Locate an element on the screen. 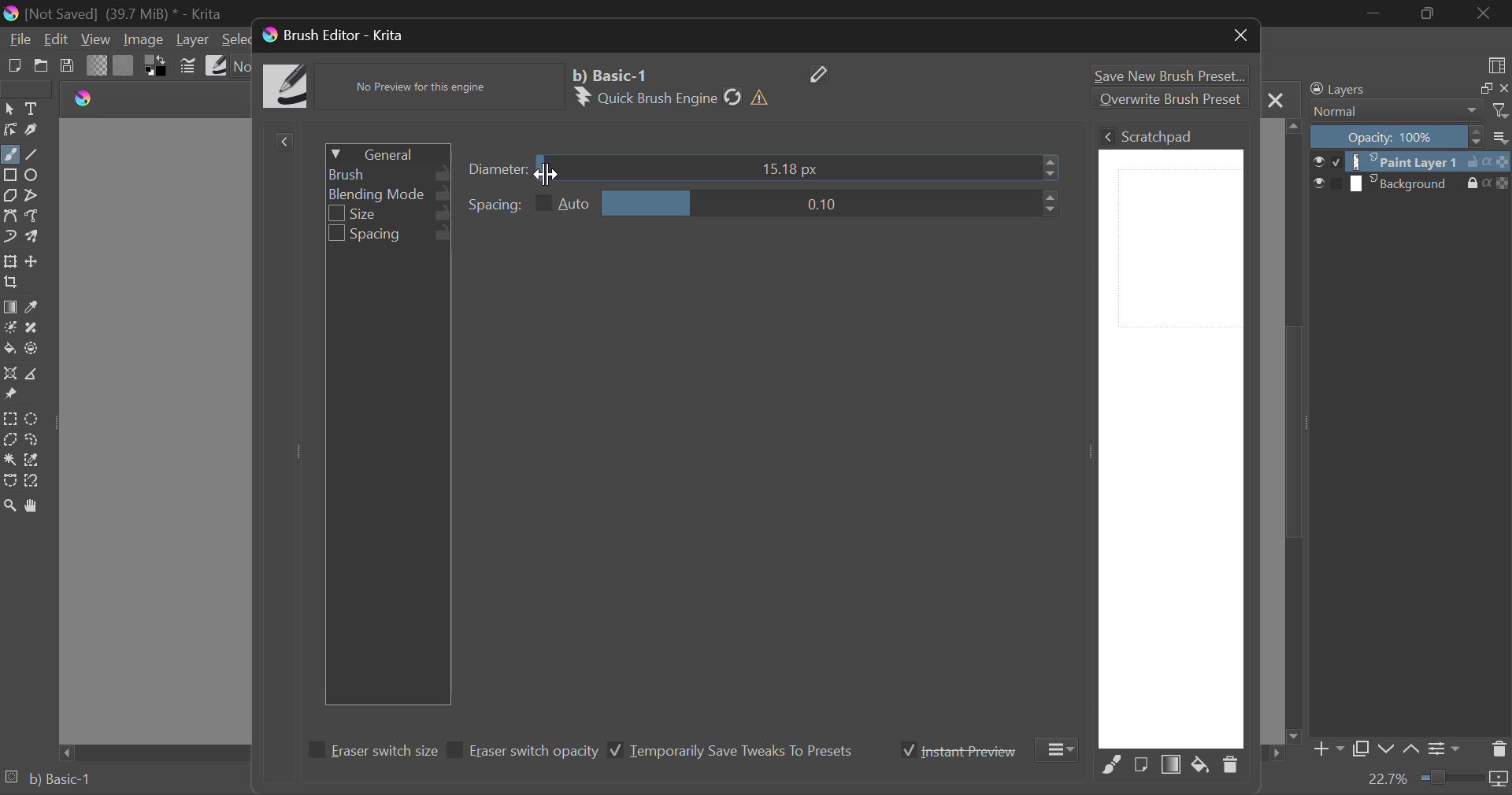 This screenshot has width=1512, height=795. MOUSE_DOWN on Diameter Slider is located at coordinates (543, 165).